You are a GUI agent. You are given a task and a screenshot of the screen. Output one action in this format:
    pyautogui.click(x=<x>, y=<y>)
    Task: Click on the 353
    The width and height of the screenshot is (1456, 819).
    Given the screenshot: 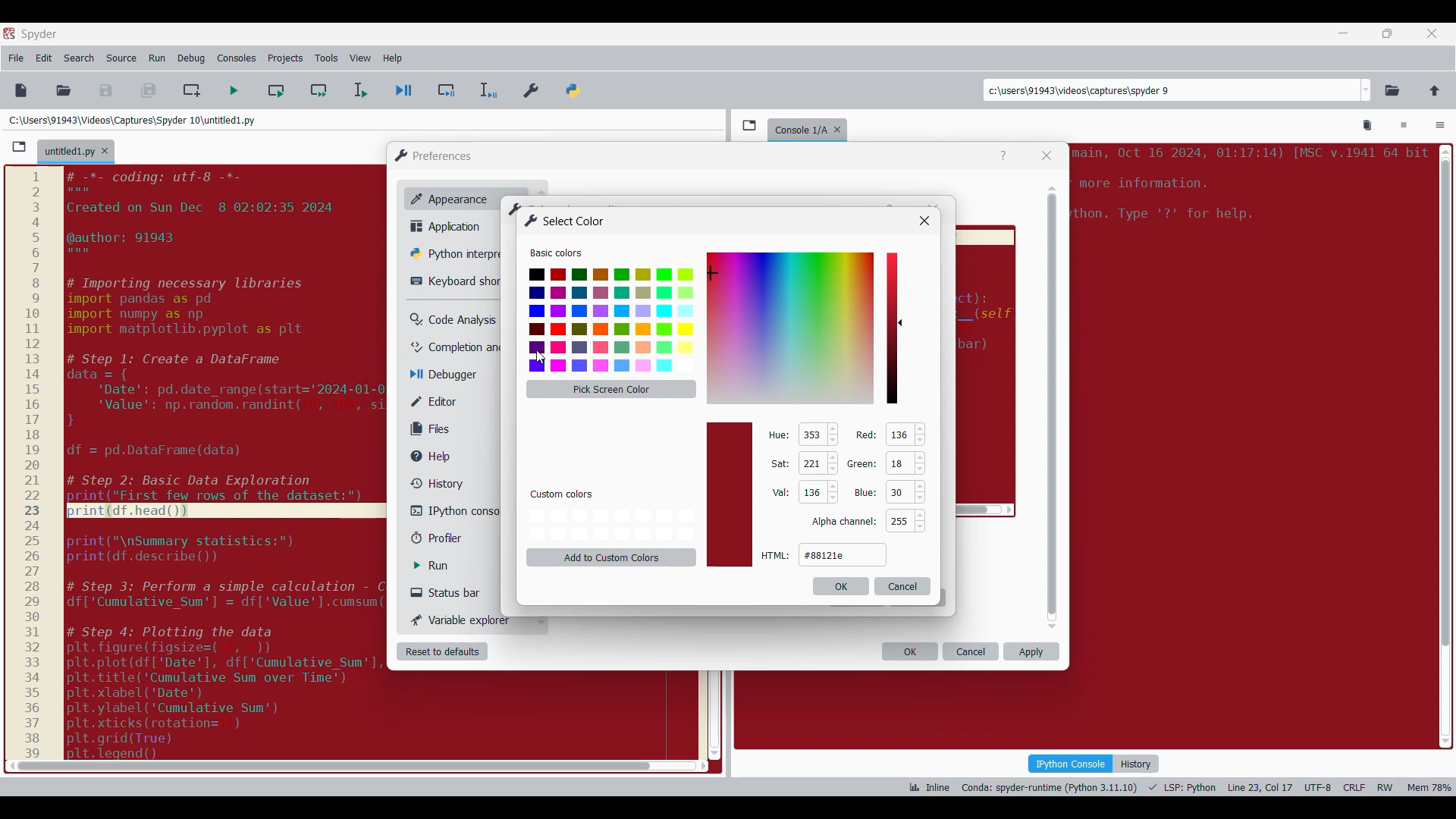 What is the action you would take?
    pyautogui.click(x=811, y=435)
    